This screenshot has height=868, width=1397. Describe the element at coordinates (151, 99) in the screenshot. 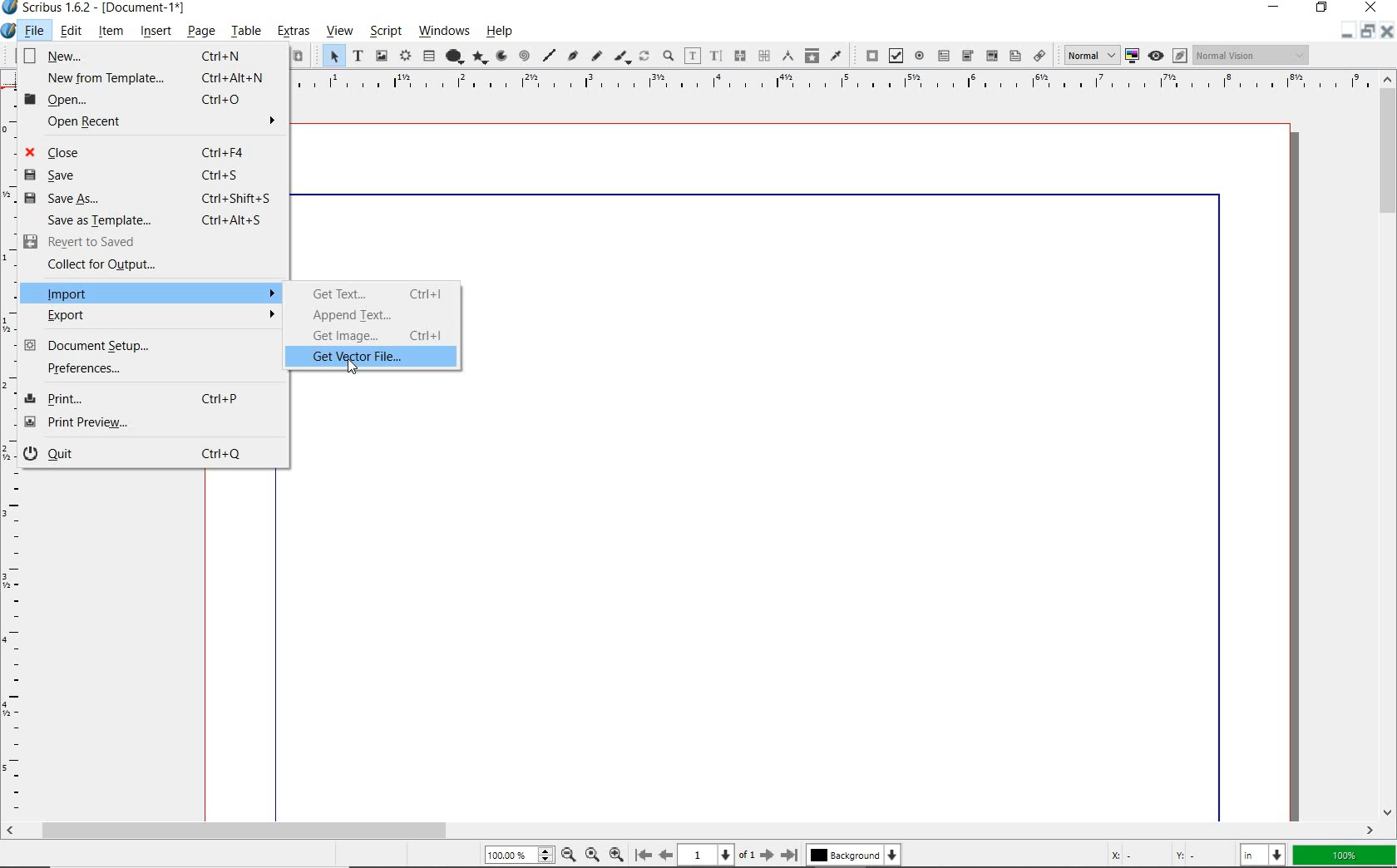

I see `Open... Ctrl+O` at that location.